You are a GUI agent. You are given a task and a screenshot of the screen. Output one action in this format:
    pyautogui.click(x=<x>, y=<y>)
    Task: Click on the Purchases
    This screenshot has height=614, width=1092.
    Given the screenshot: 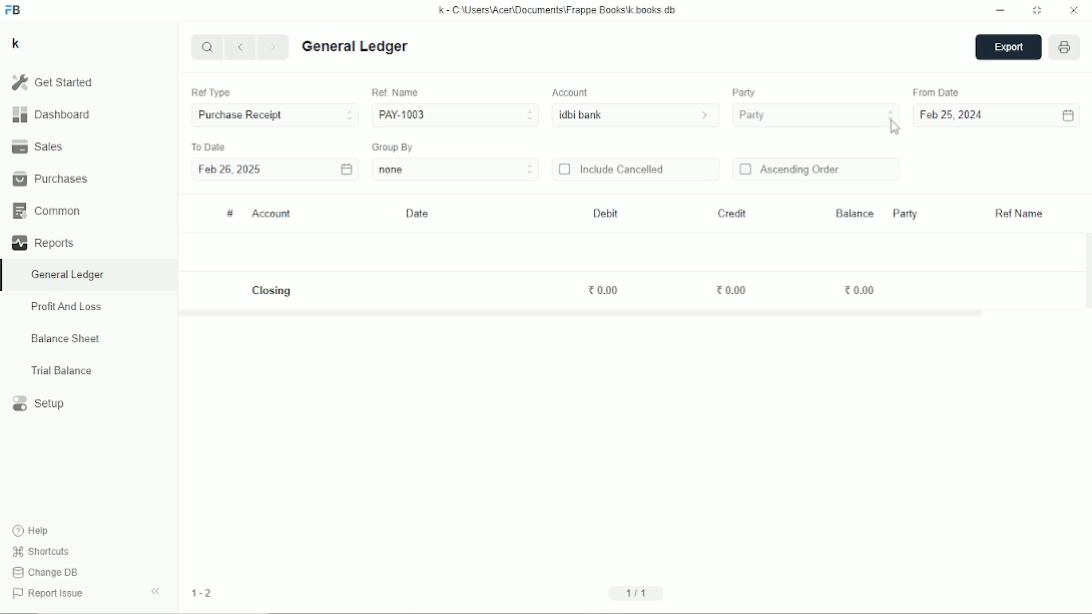 What is the action you would take?
    pyautogui.click(x=50, y=178)
    